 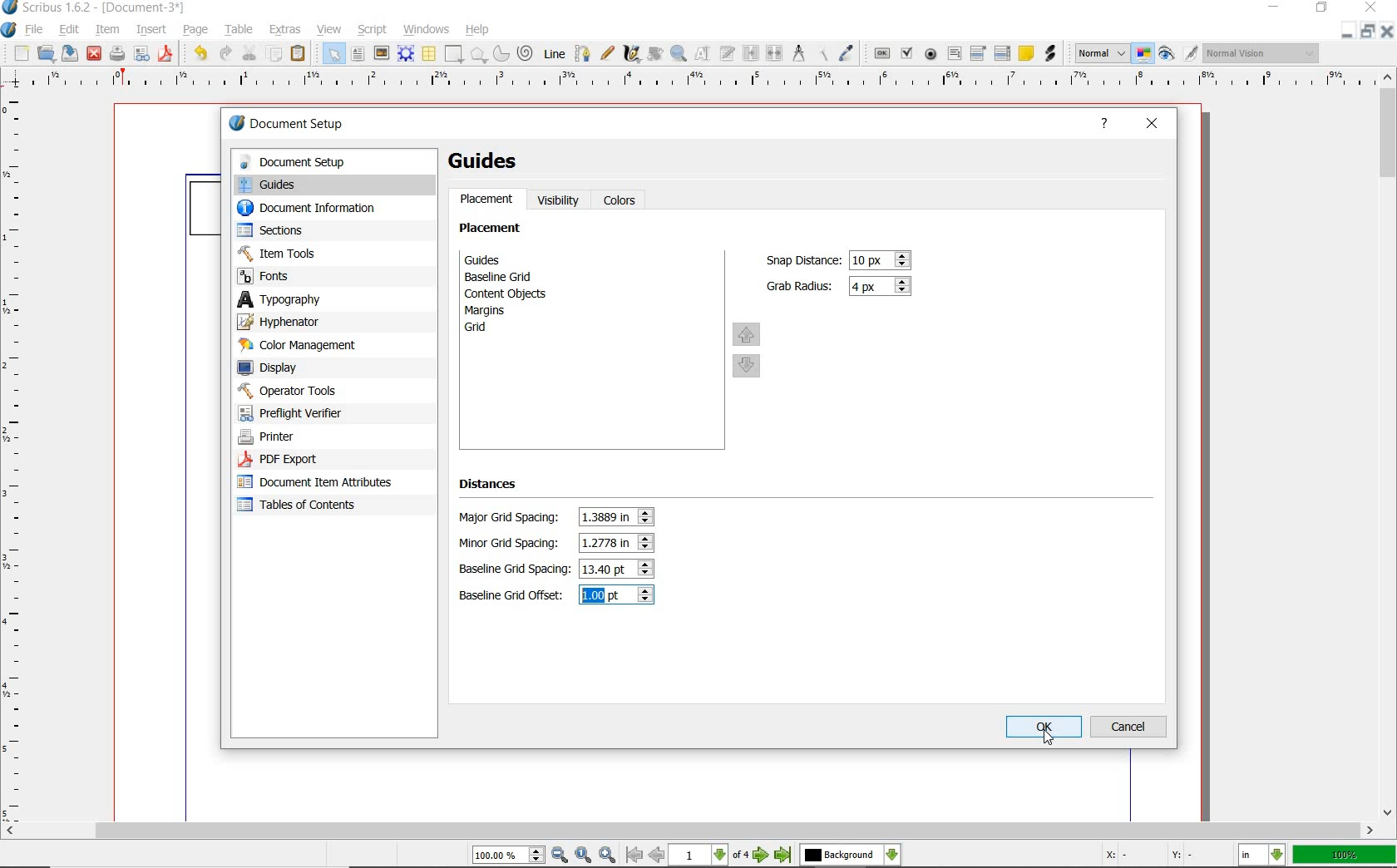 I want to click on go to next page, so click(x=763, y=856).